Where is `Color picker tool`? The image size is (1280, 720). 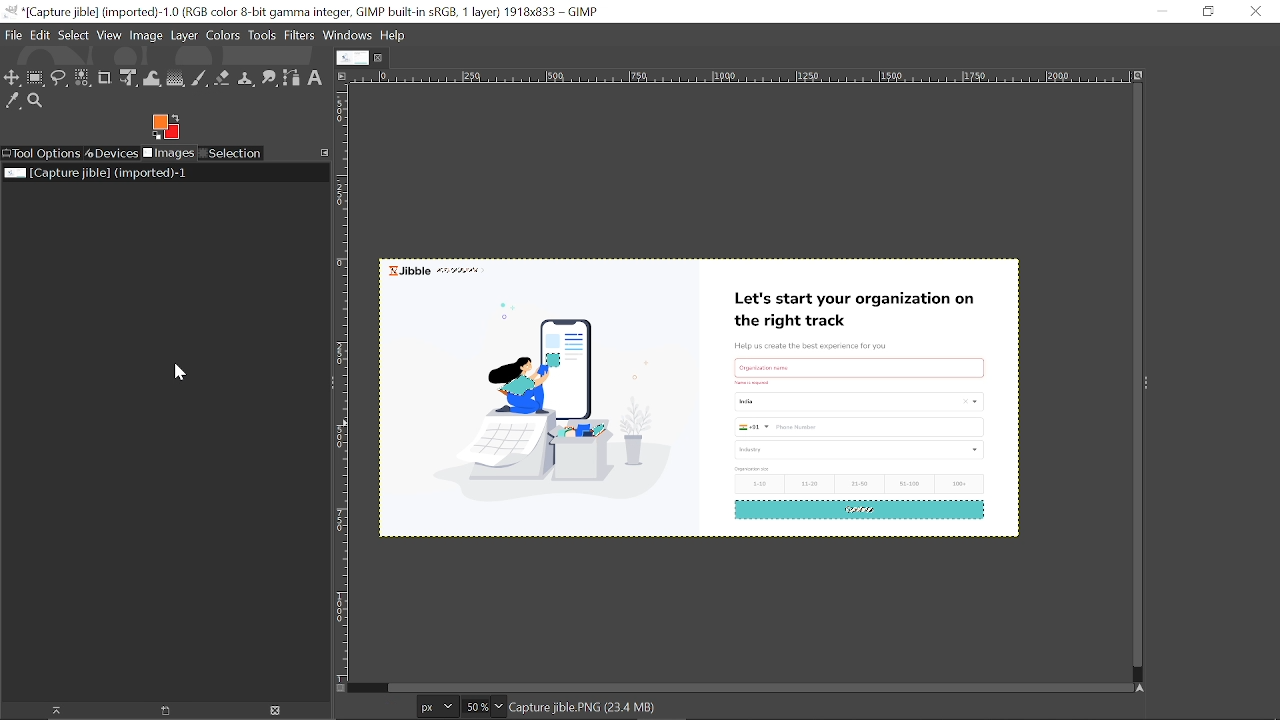
Color picker tool is located at coordinates (13, 102).